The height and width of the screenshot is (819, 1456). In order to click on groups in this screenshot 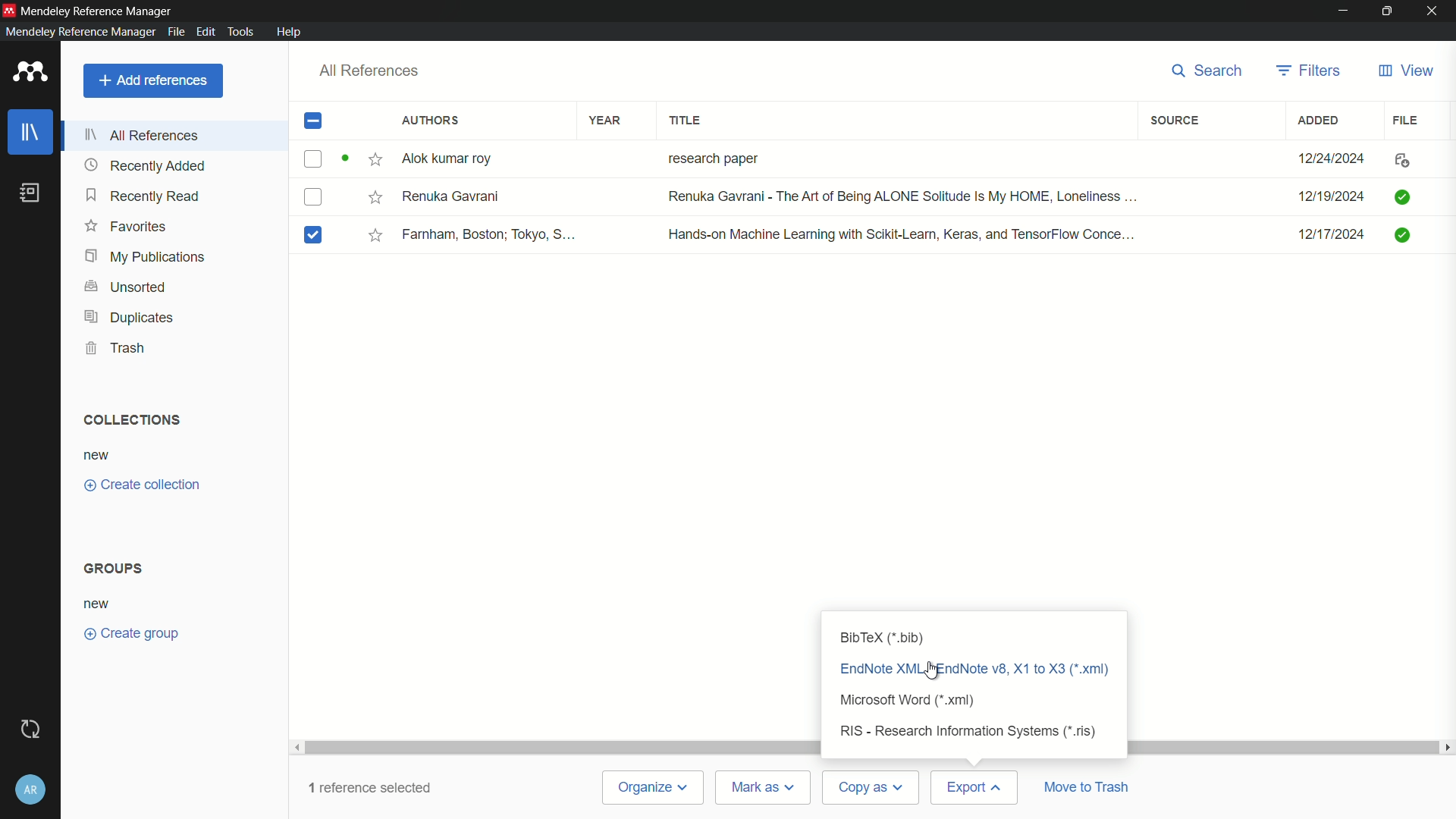, I will do `click(115, 568)`.